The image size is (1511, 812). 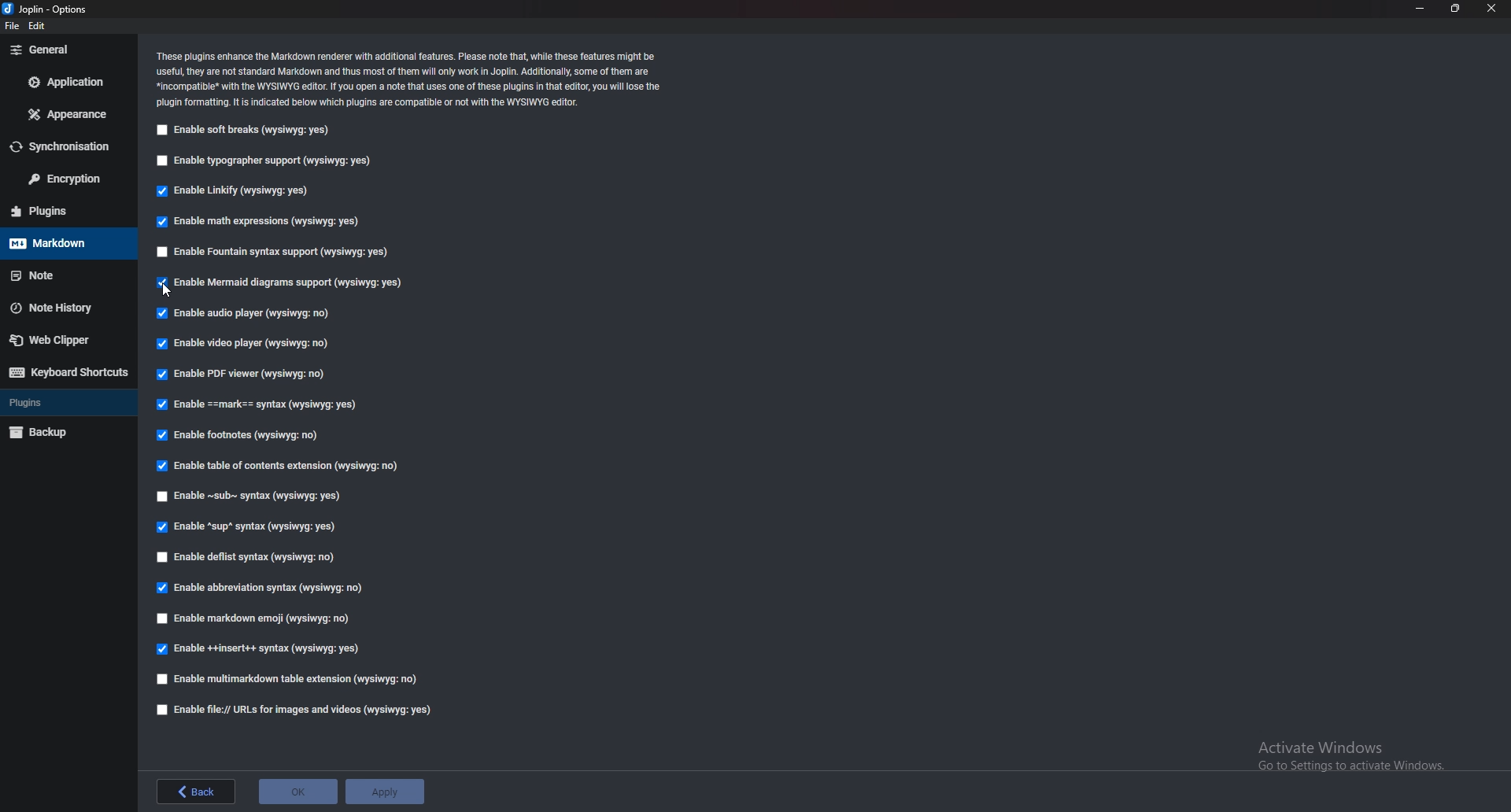 What do you see at coordinates (246, 312) in the screenshot?
I see `Enable audio player` at bounding box center [246, 312].